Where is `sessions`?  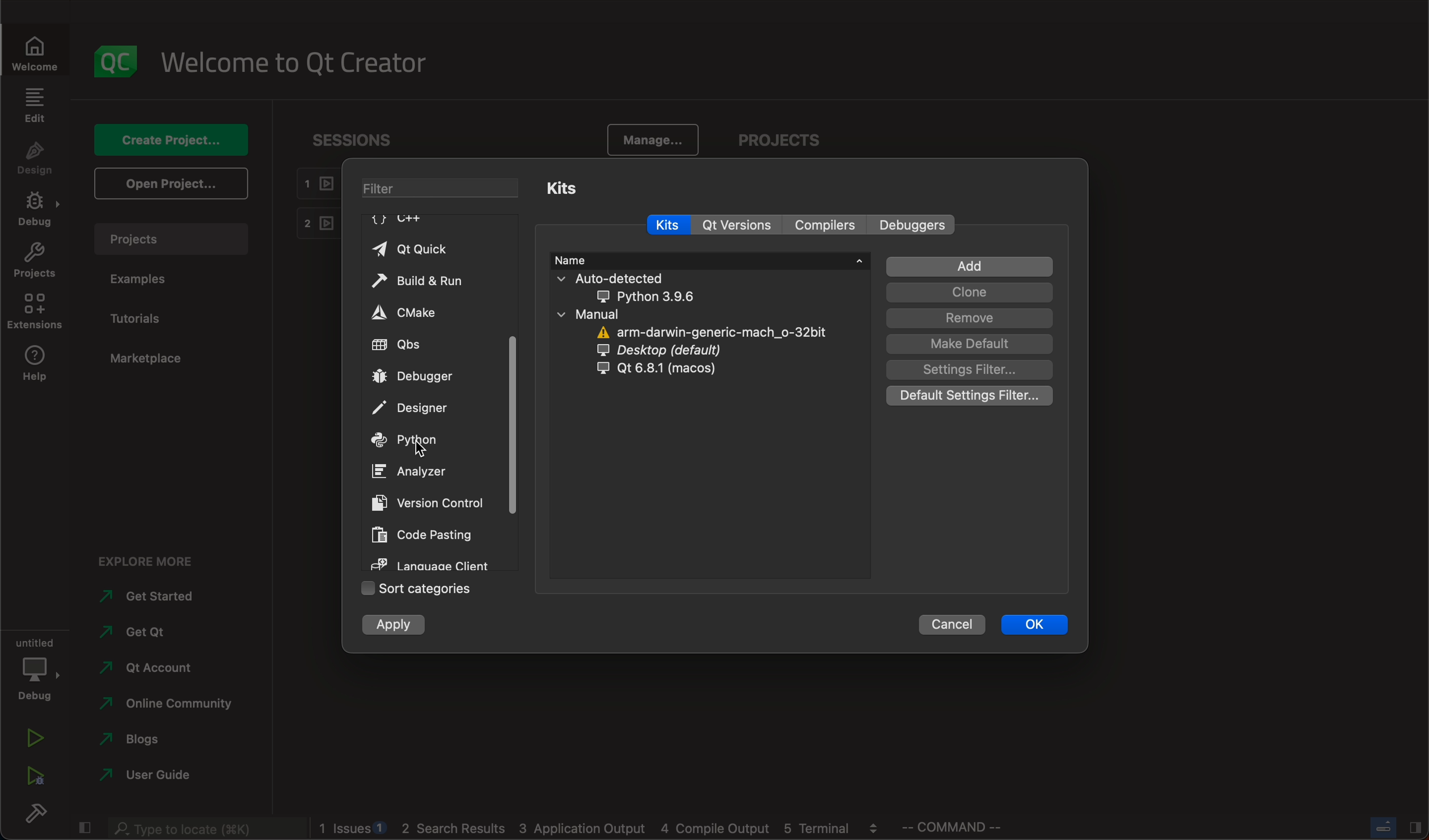
sessions is located at coordinates (363, 141).